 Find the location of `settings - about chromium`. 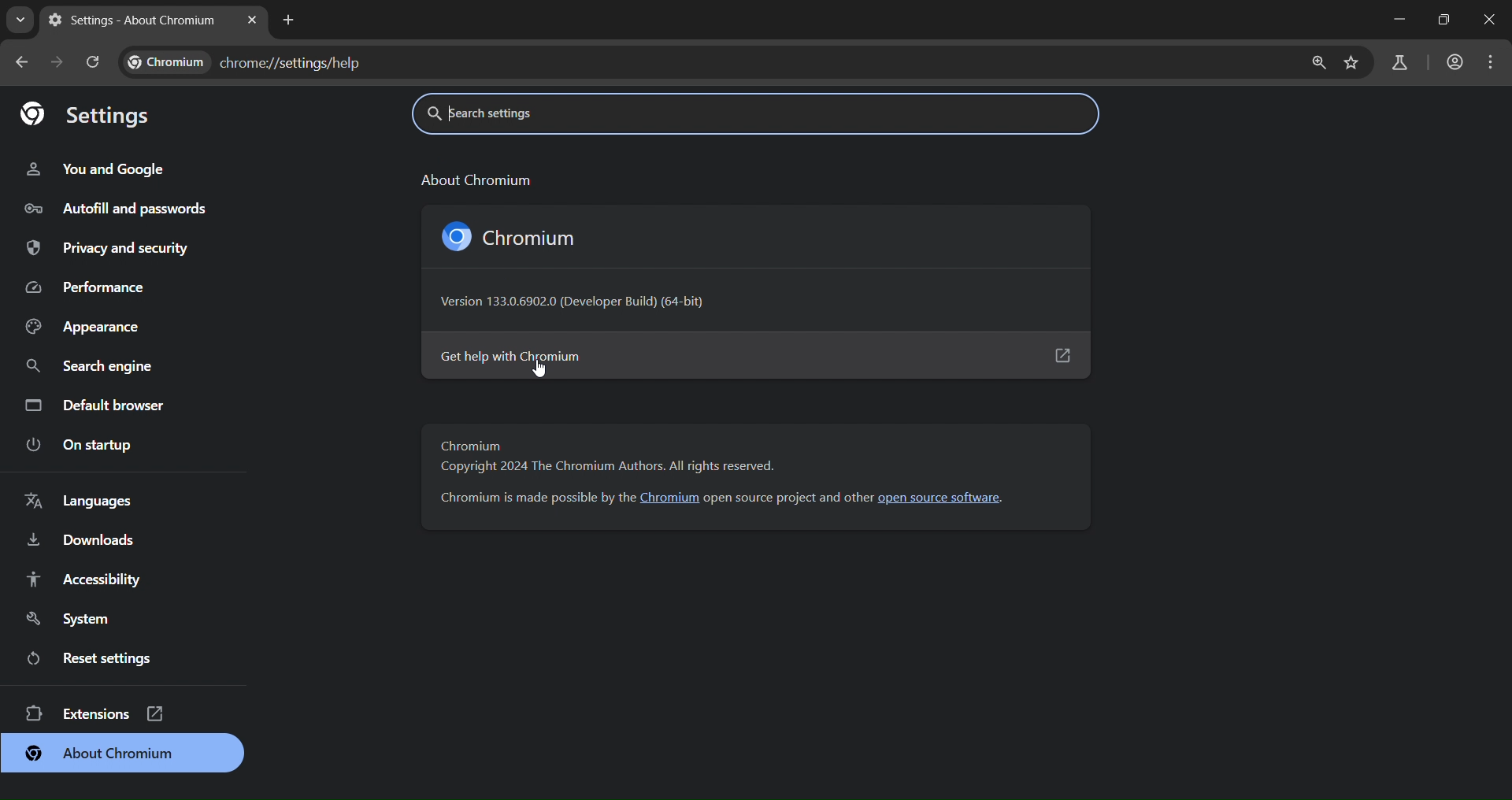

settings - about chromium is located at coordinates (131, 17).